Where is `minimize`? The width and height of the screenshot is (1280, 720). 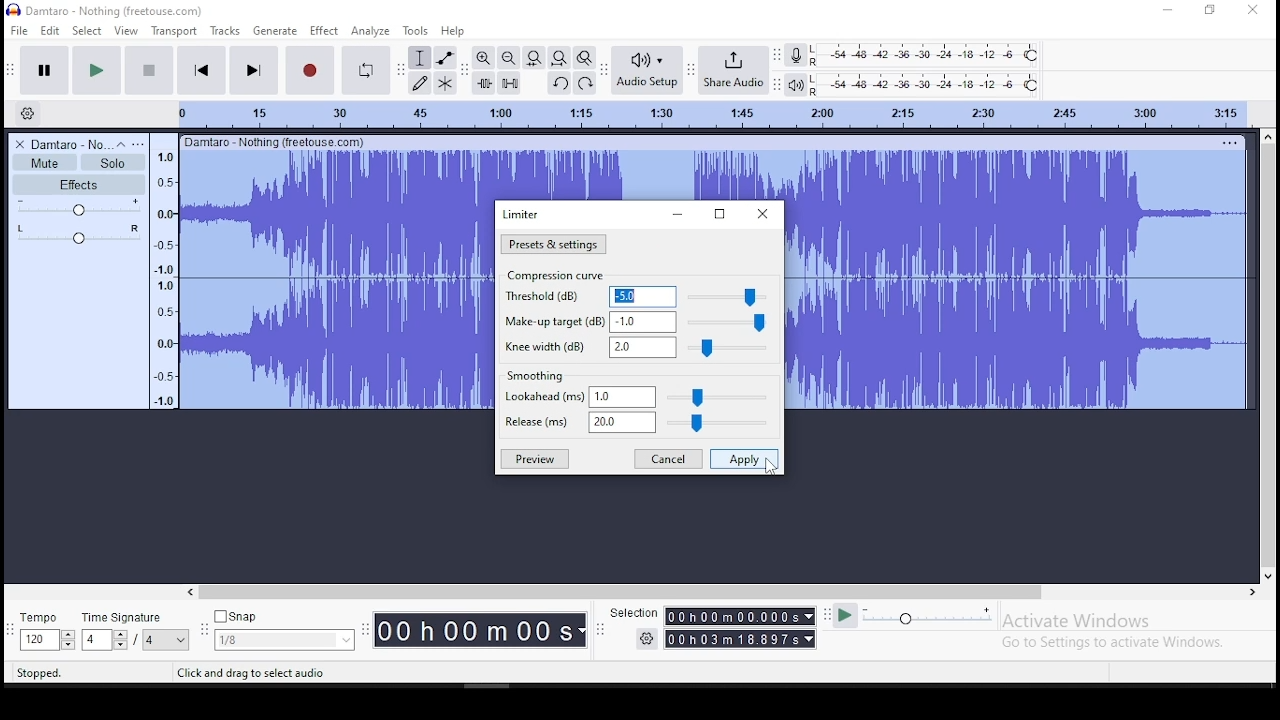
minimize is located at coordinates (1164, 9).